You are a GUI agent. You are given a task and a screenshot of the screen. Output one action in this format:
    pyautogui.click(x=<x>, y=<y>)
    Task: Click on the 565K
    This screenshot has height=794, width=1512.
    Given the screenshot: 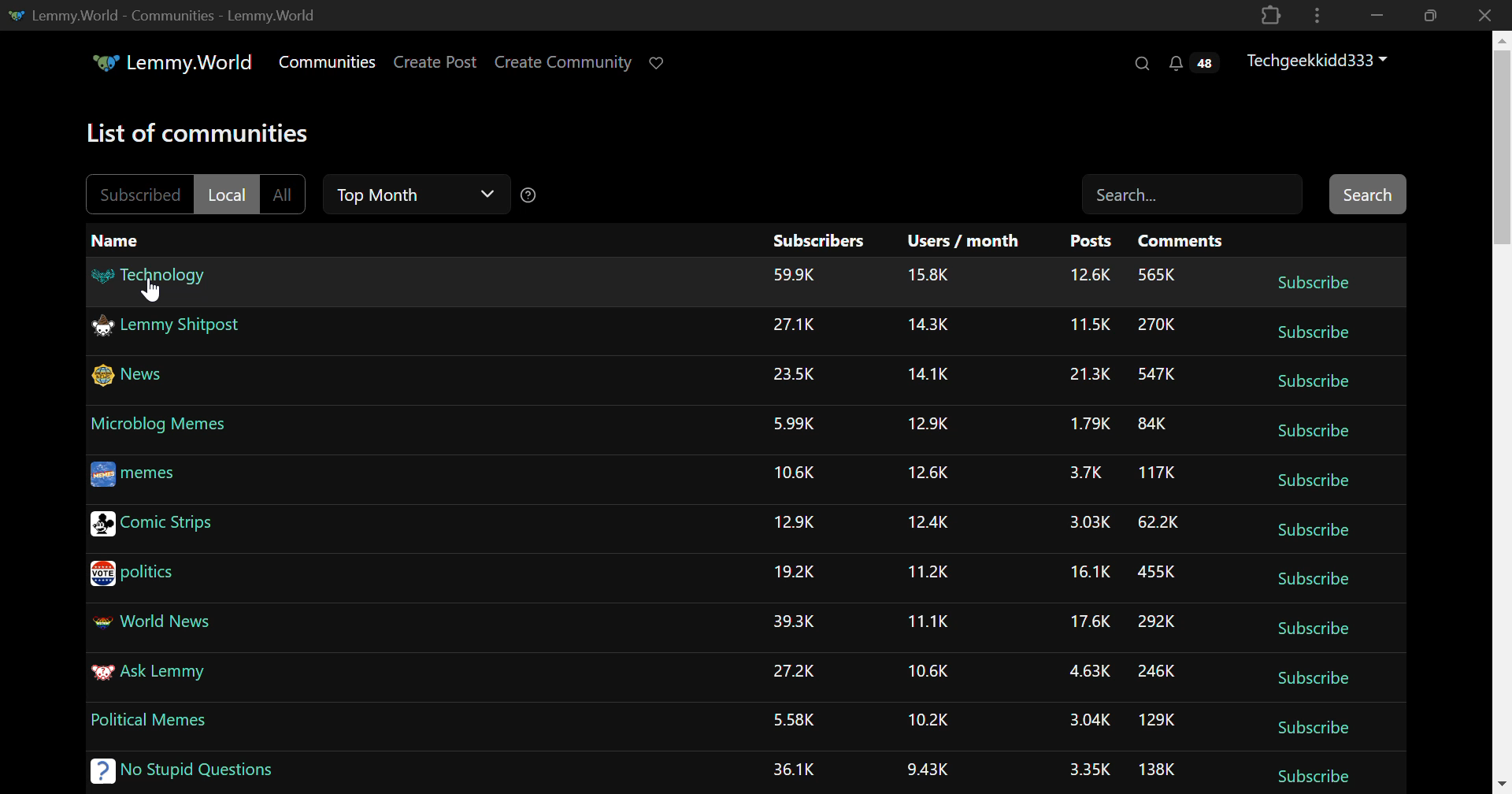 What is the action you would take?
    pyautogui.click(x=1154, y=275)
    